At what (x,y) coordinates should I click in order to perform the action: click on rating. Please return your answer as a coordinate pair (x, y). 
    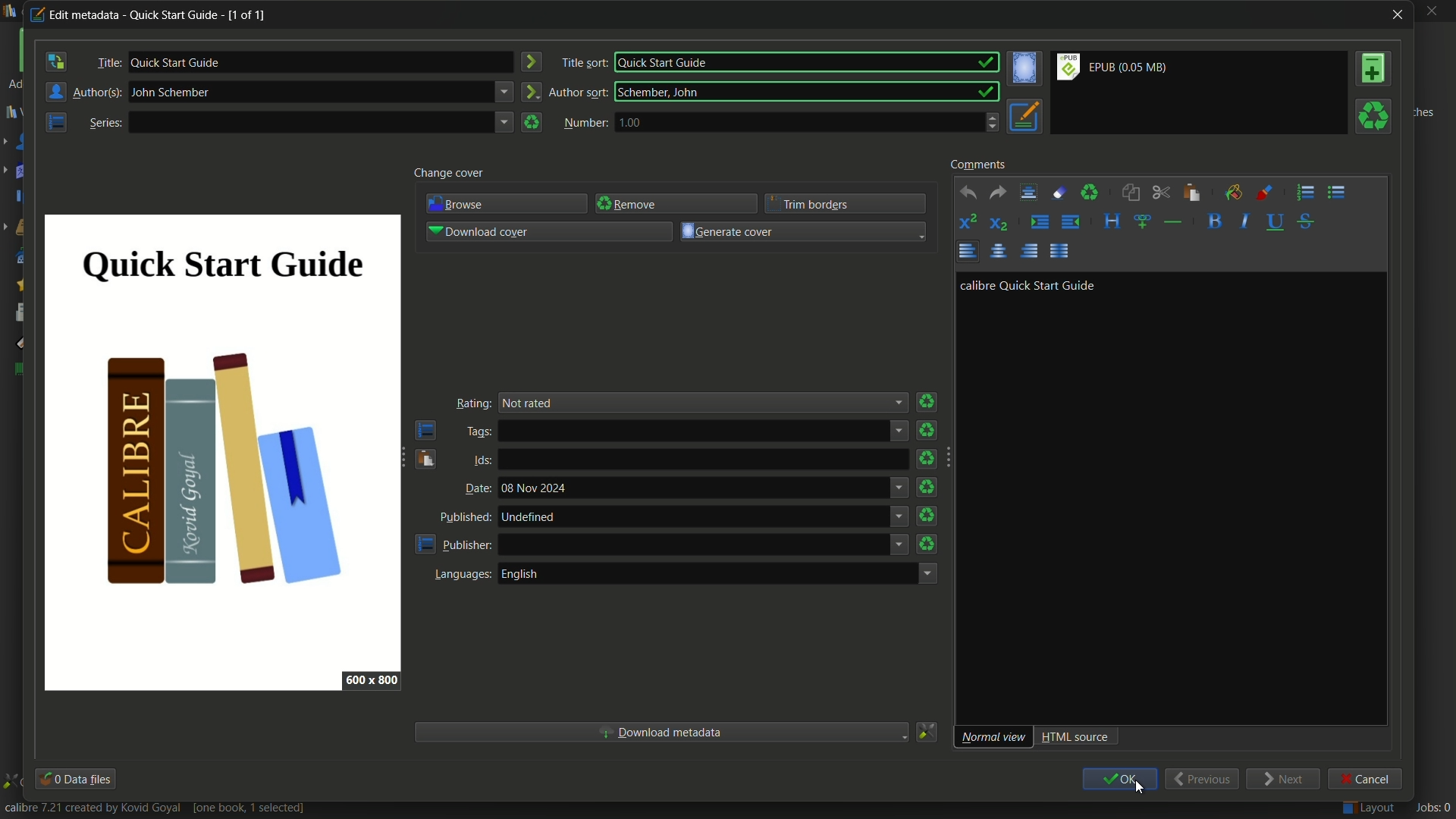
    Looking at the image, I should click on (529, 403).